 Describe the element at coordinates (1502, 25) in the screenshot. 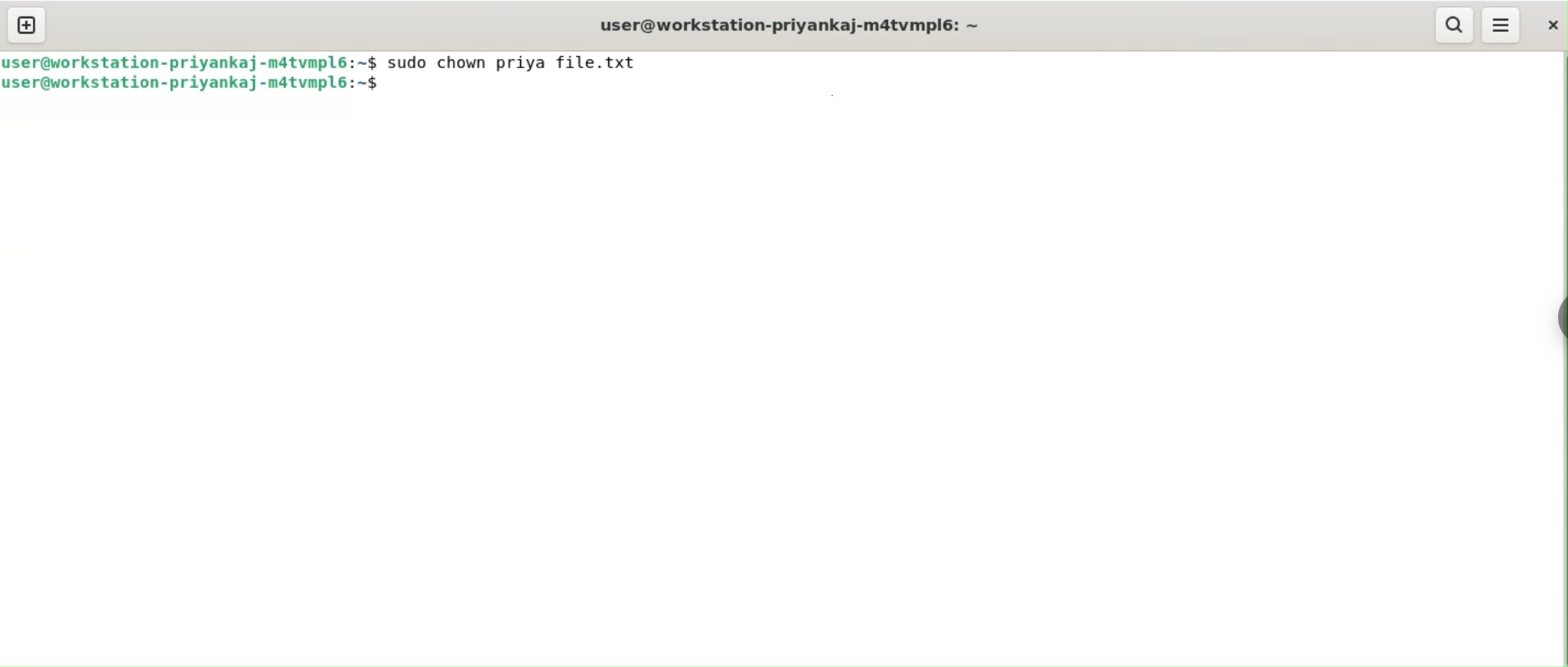

I see `menu` at that location.